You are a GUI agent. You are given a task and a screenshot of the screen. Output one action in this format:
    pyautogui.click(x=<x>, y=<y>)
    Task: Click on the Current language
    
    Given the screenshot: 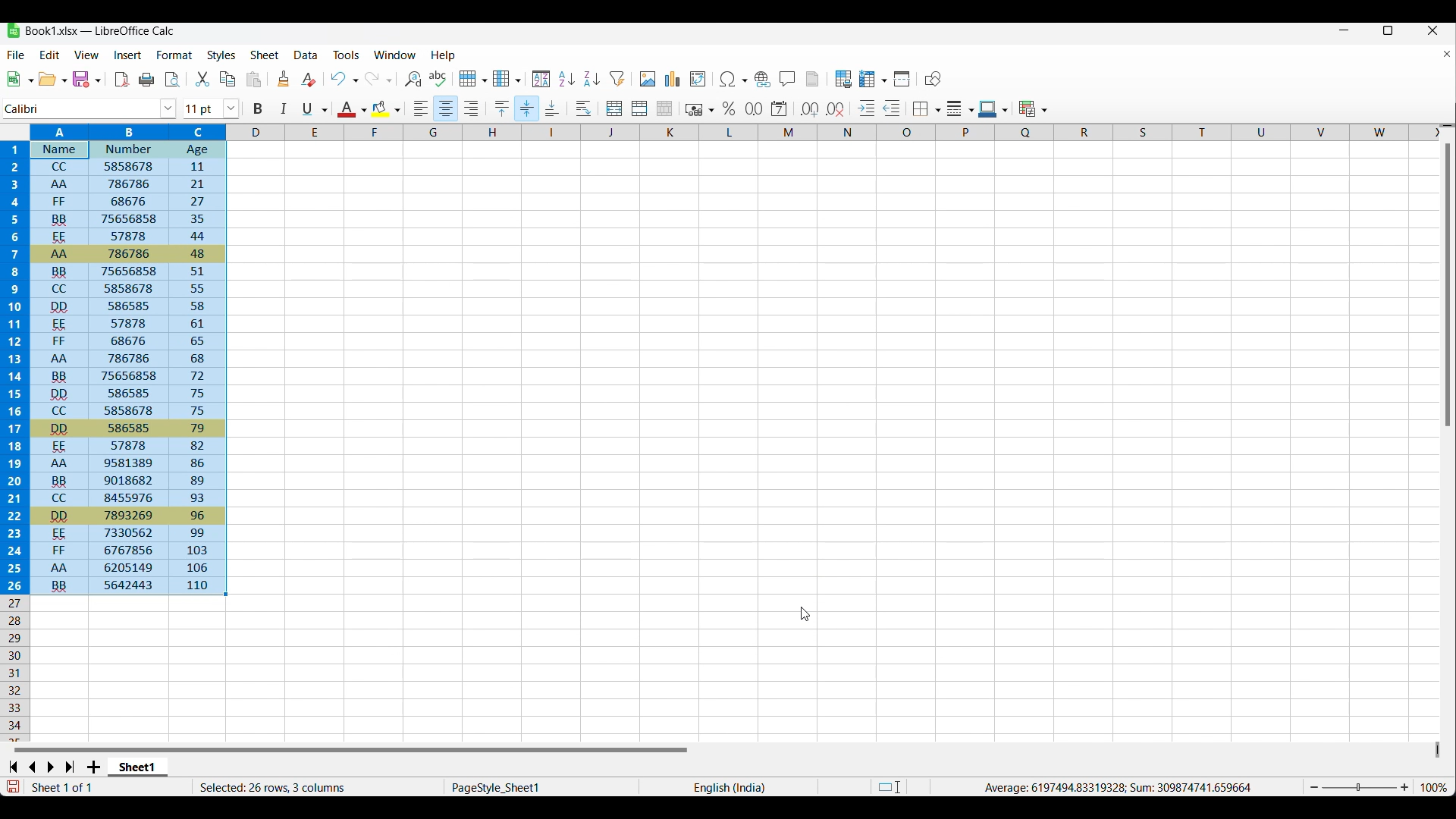 What is the action you would take?
    pyautogui.click(x=728, y=786)
    